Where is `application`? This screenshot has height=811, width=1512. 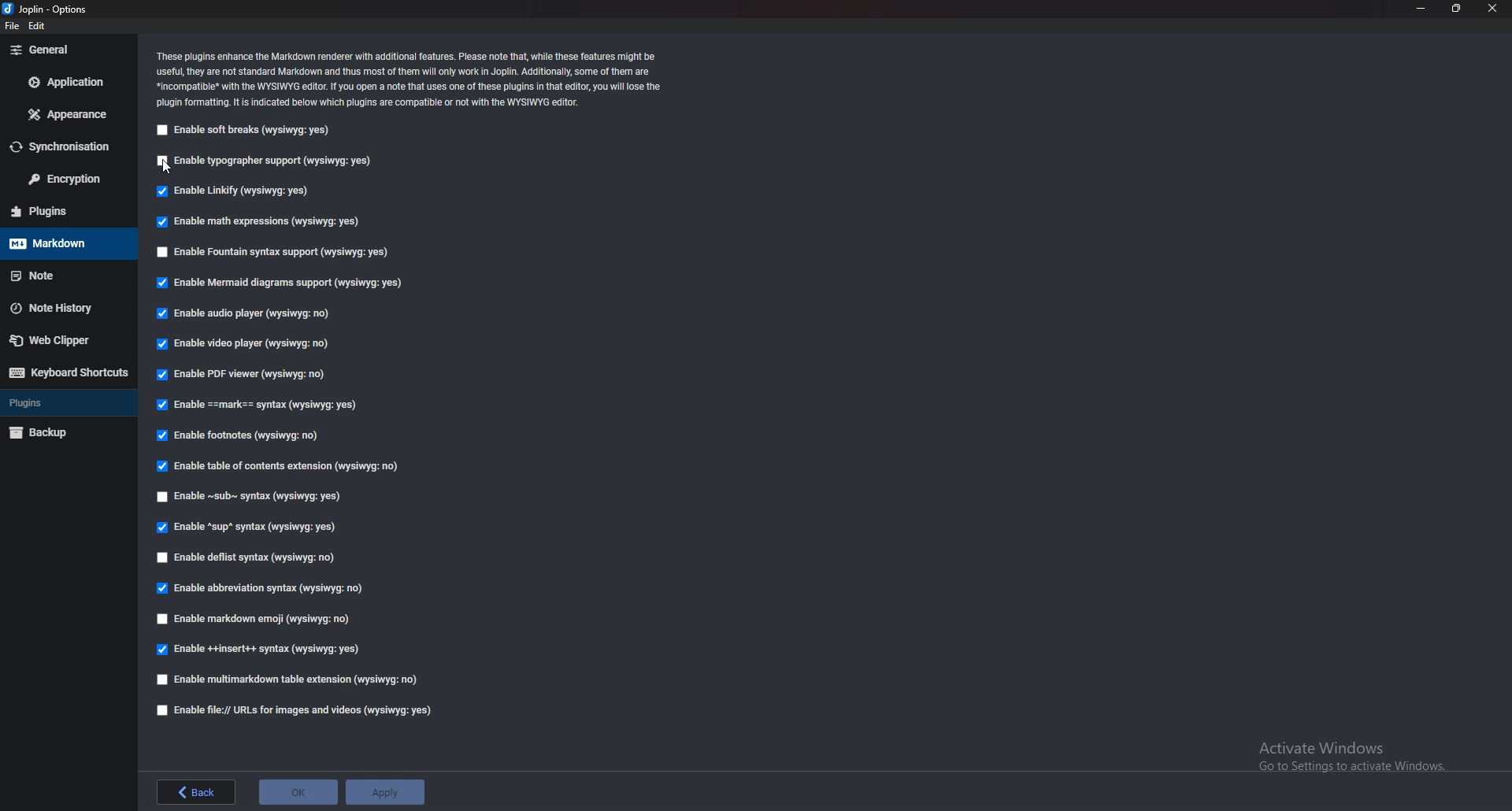 application is located at coordinates (65, 81).